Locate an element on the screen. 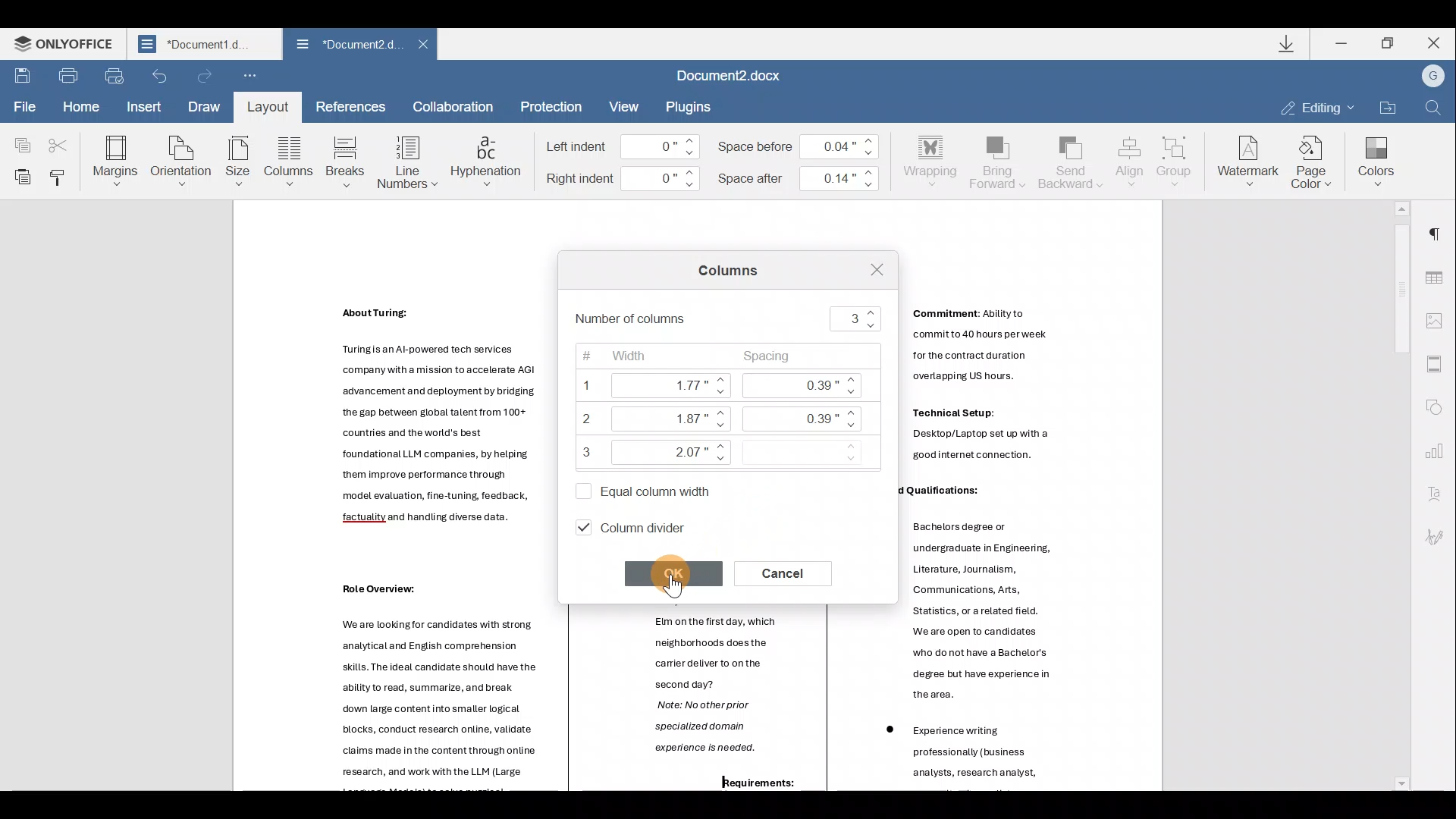 The width and height of the screenshot is (1456, 819). Open file location is located at coordinates (1387, 106).